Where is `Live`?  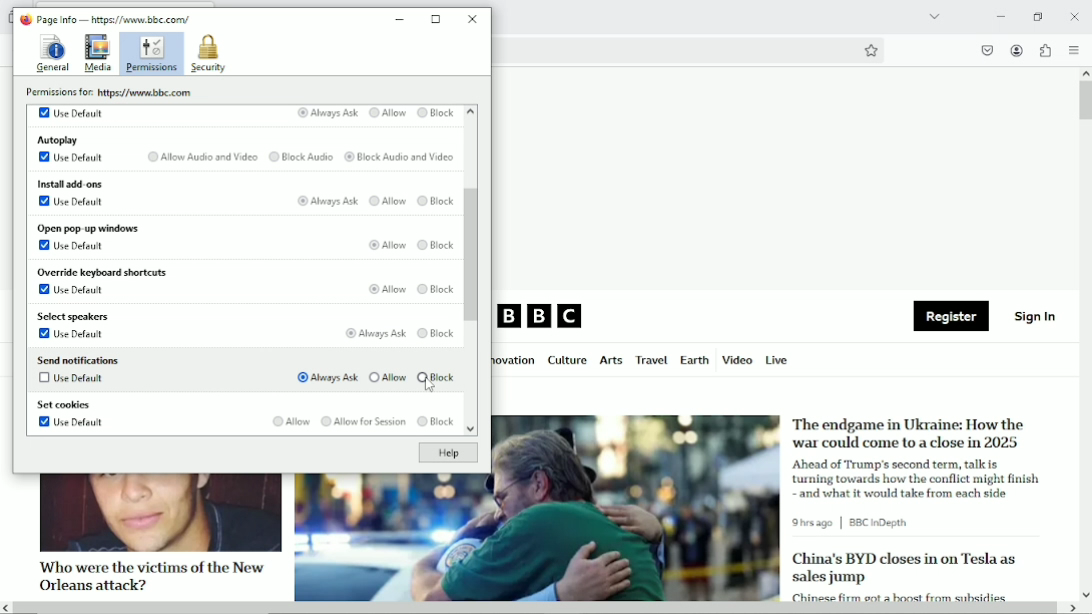 Live is located at coordinates (777, 359).